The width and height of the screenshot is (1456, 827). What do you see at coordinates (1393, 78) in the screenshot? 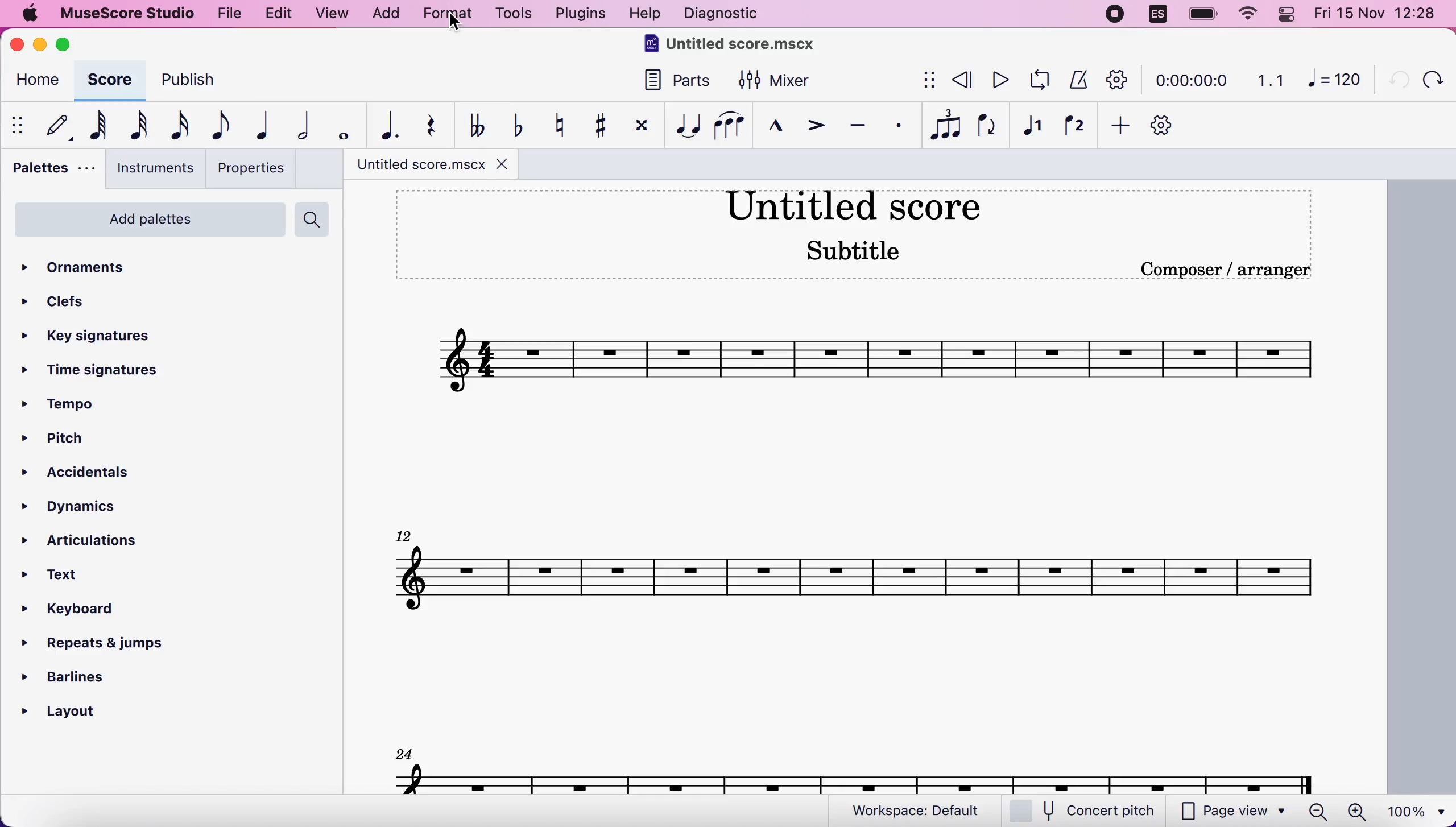
I see `undo` at bounding box center [1393, 78].